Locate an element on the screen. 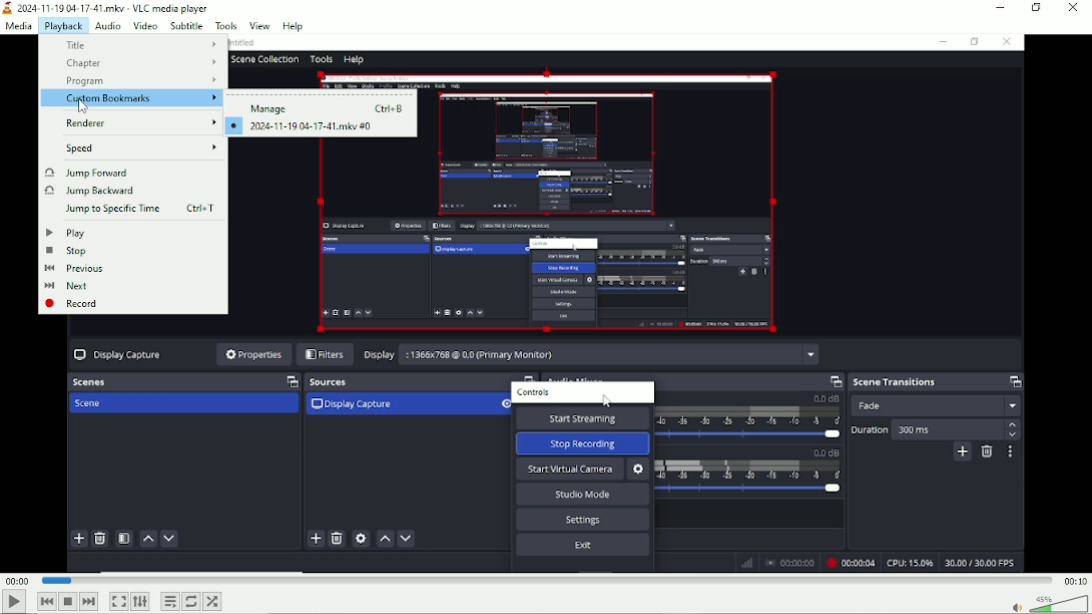 Image resolution: width=1092 pixels, height=614 pixels. Mouse Cursor is located at coordinates (82, 107).